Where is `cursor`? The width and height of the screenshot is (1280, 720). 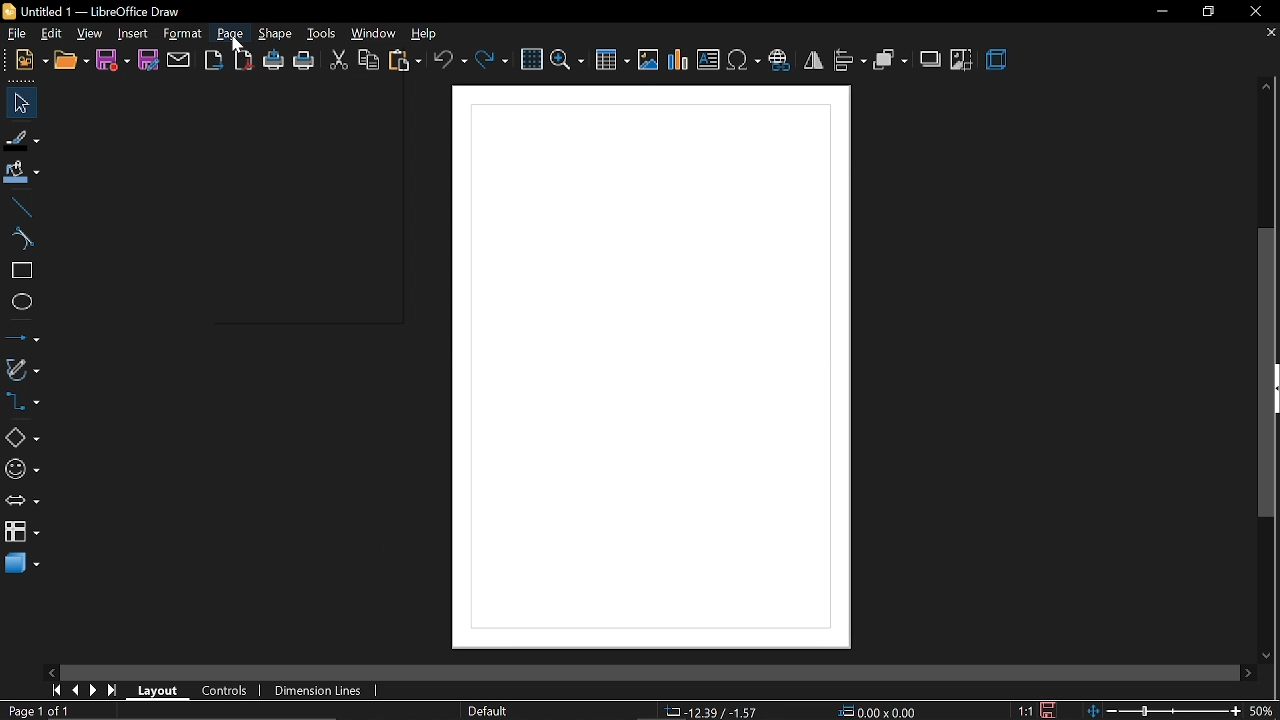 cursor is located at coordinates (237, 45).